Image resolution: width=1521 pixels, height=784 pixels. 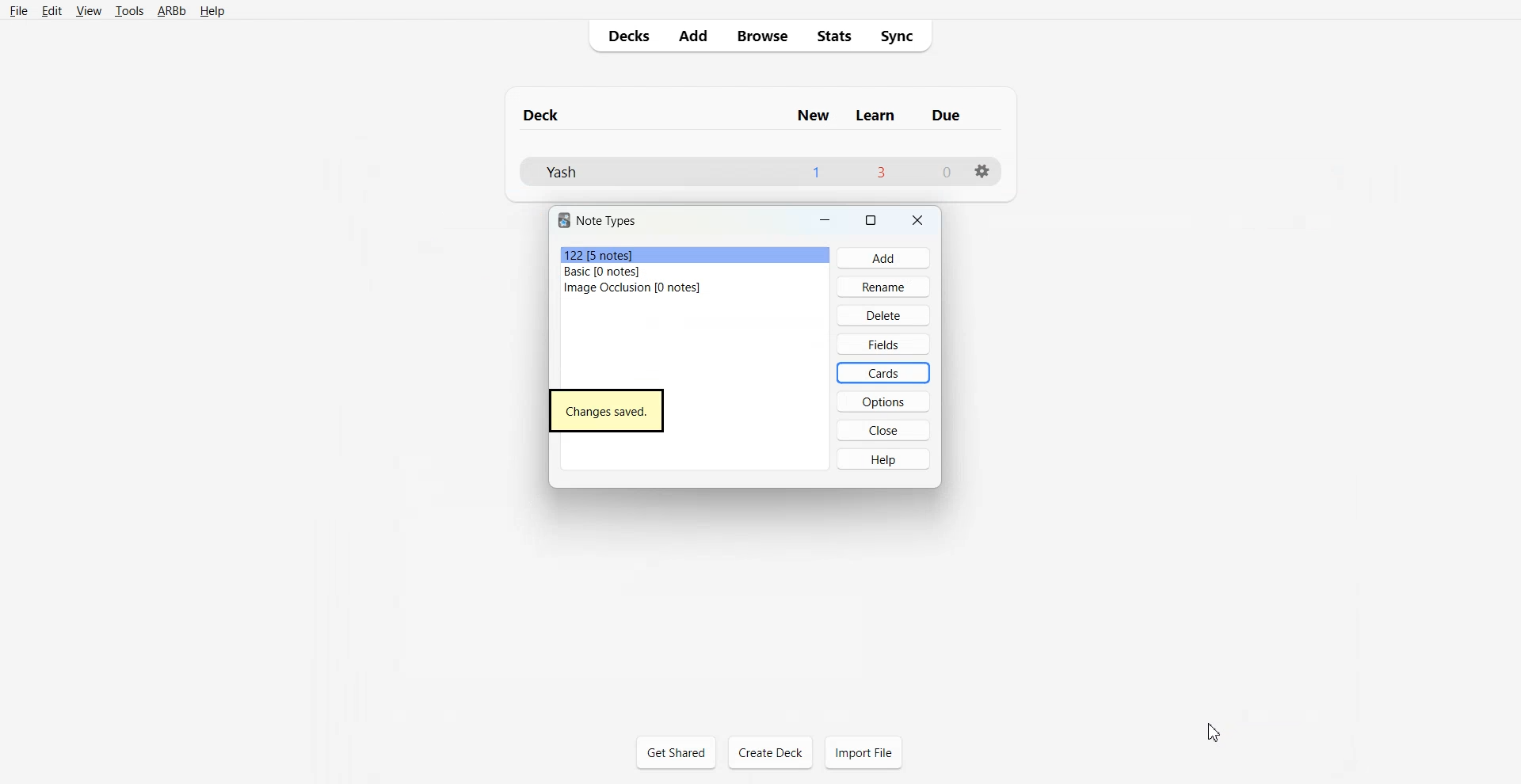 I want to click on help, so click(x=897, y=462).